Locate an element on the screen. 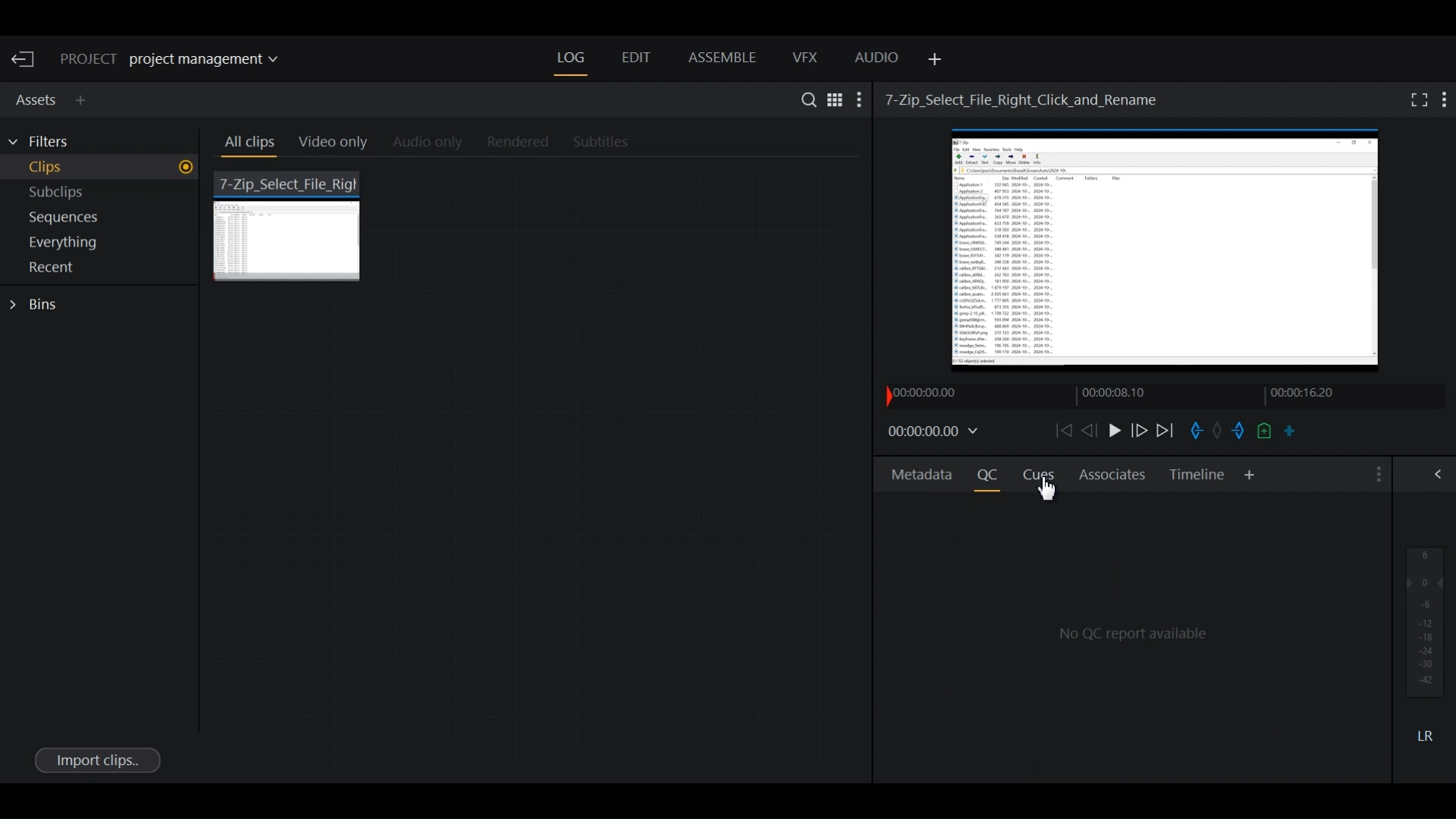  Toggle between list and Tile View is located at coordinates (833, 99).